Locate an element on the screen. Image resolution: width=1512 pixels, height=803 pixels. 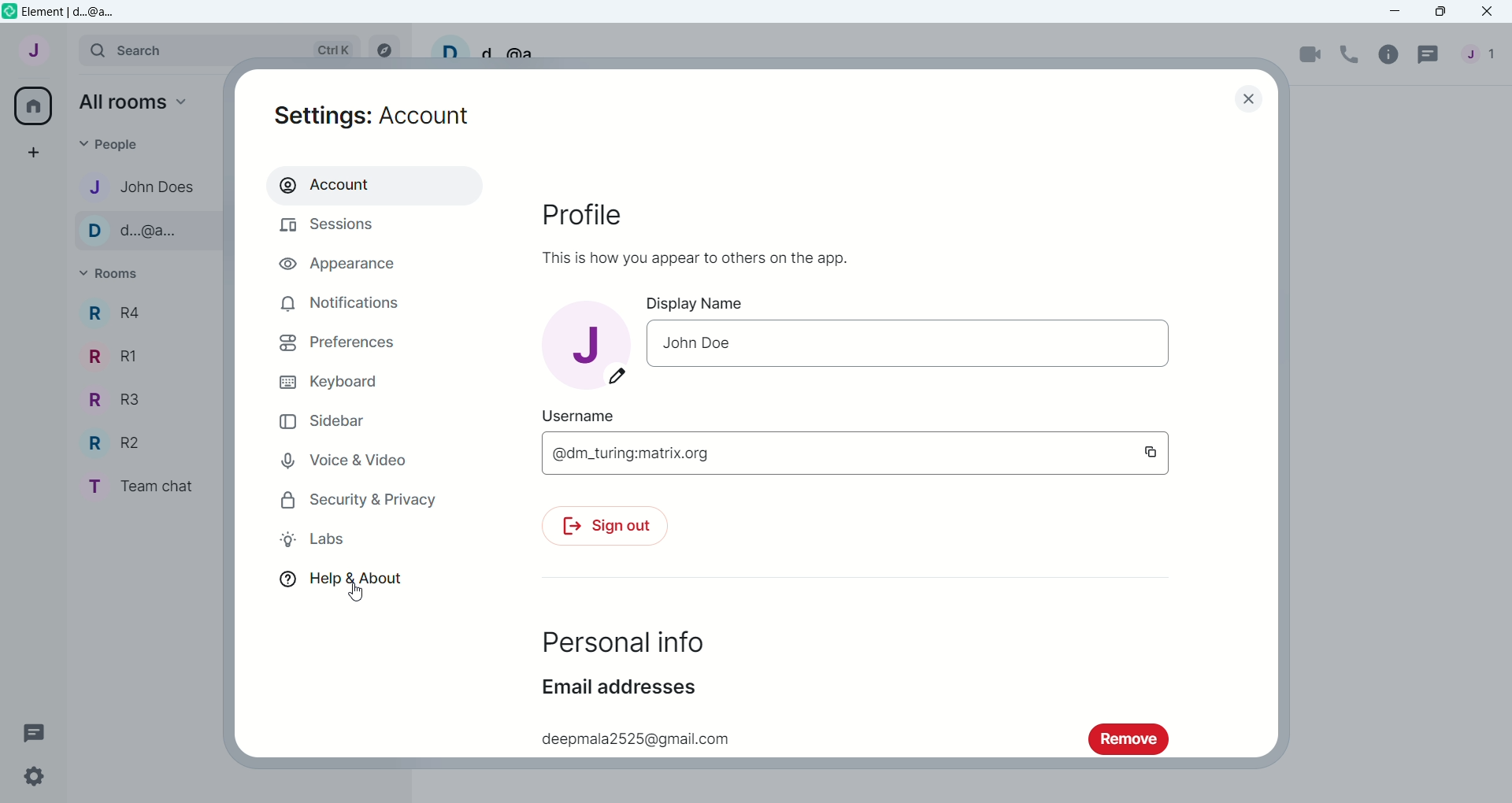
Contact name is located at coordinates (145, 185).